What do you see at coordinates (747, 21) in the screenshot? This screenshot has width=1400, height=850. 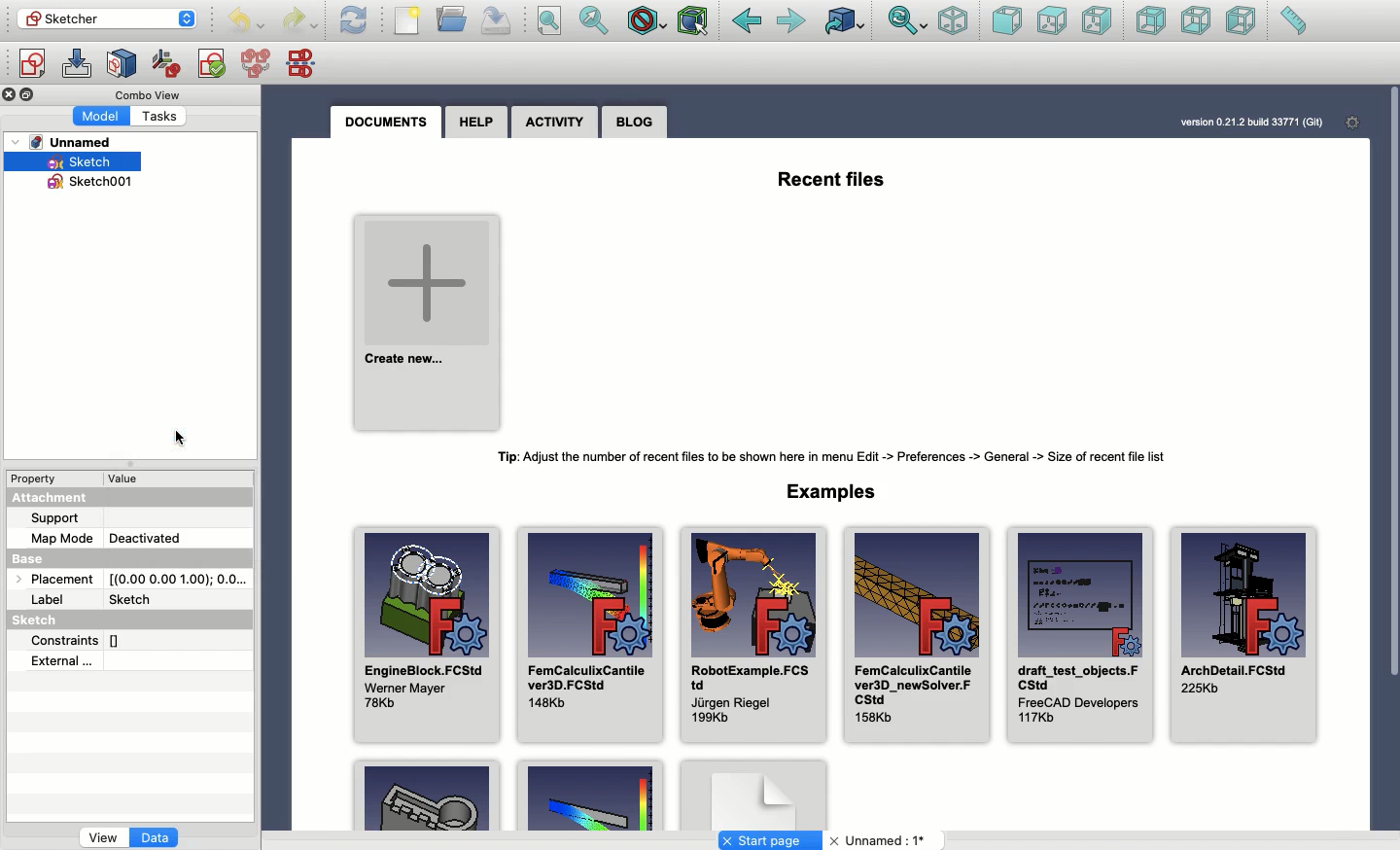 I see `Back` at bounding box center [747, 21].